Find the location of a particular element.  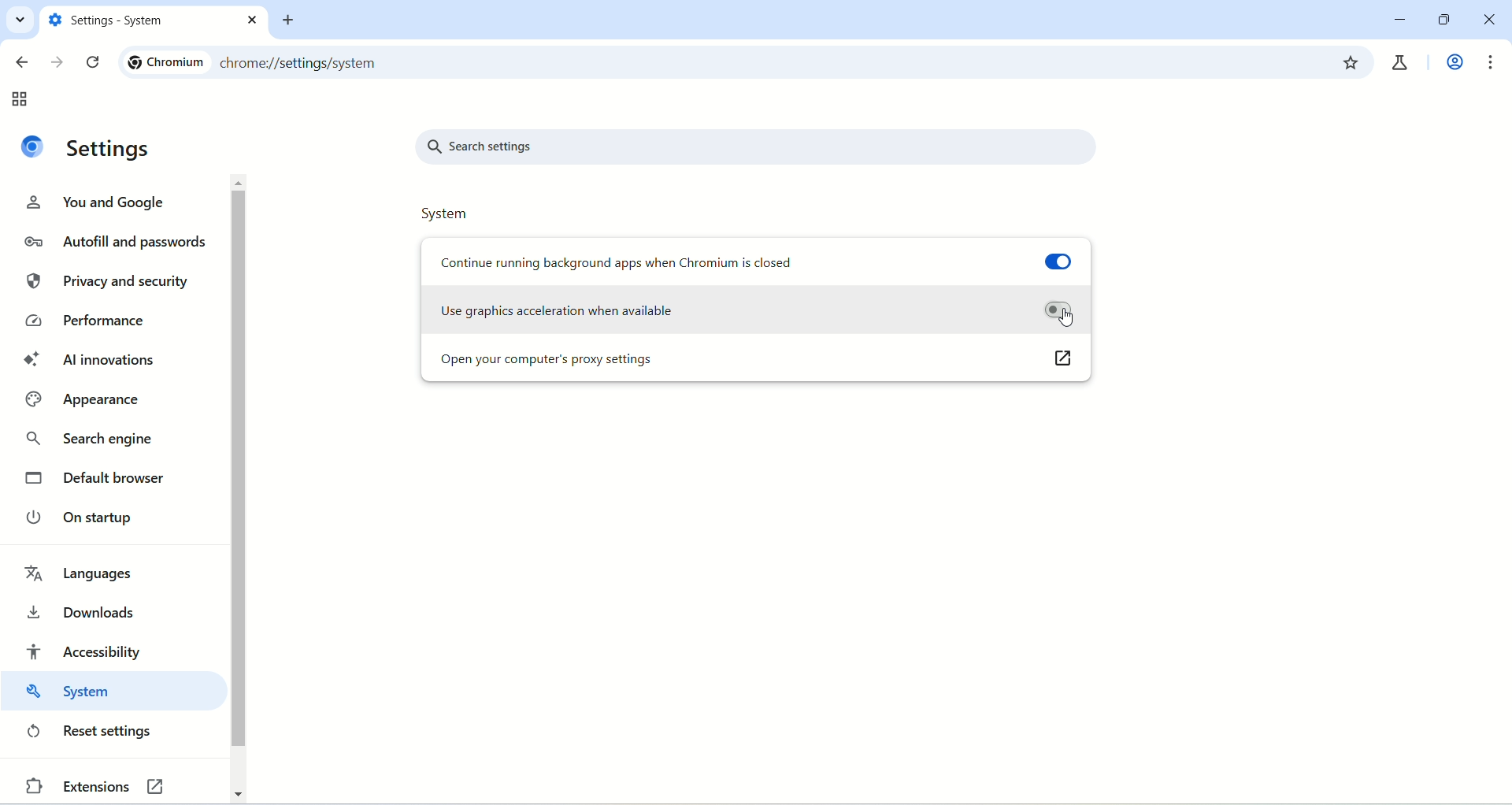

on startup is located at coordinates (84, 516).